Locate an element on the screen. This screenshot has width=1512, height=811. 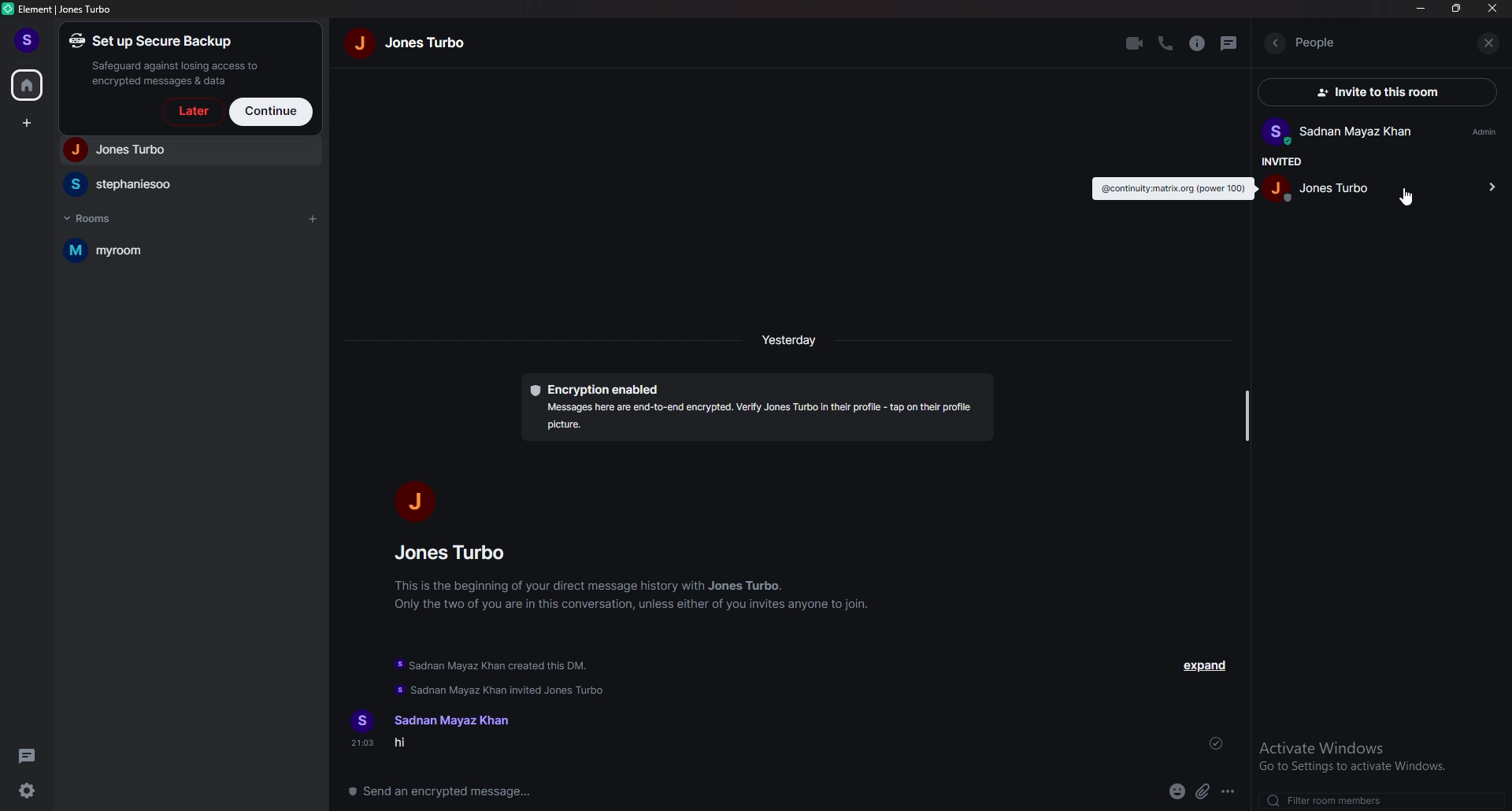
expand is located at coordinates (1206, 665).